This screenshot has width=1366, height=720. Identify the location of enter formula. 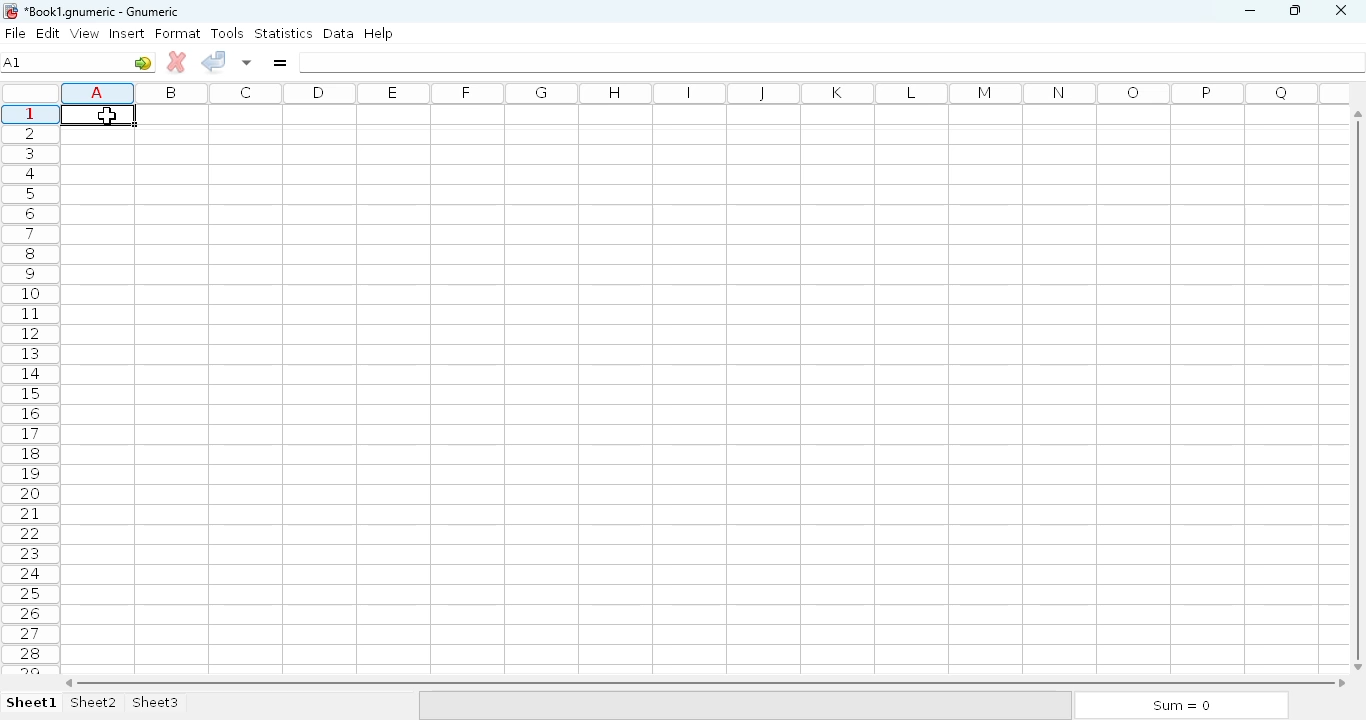
(279, 62).